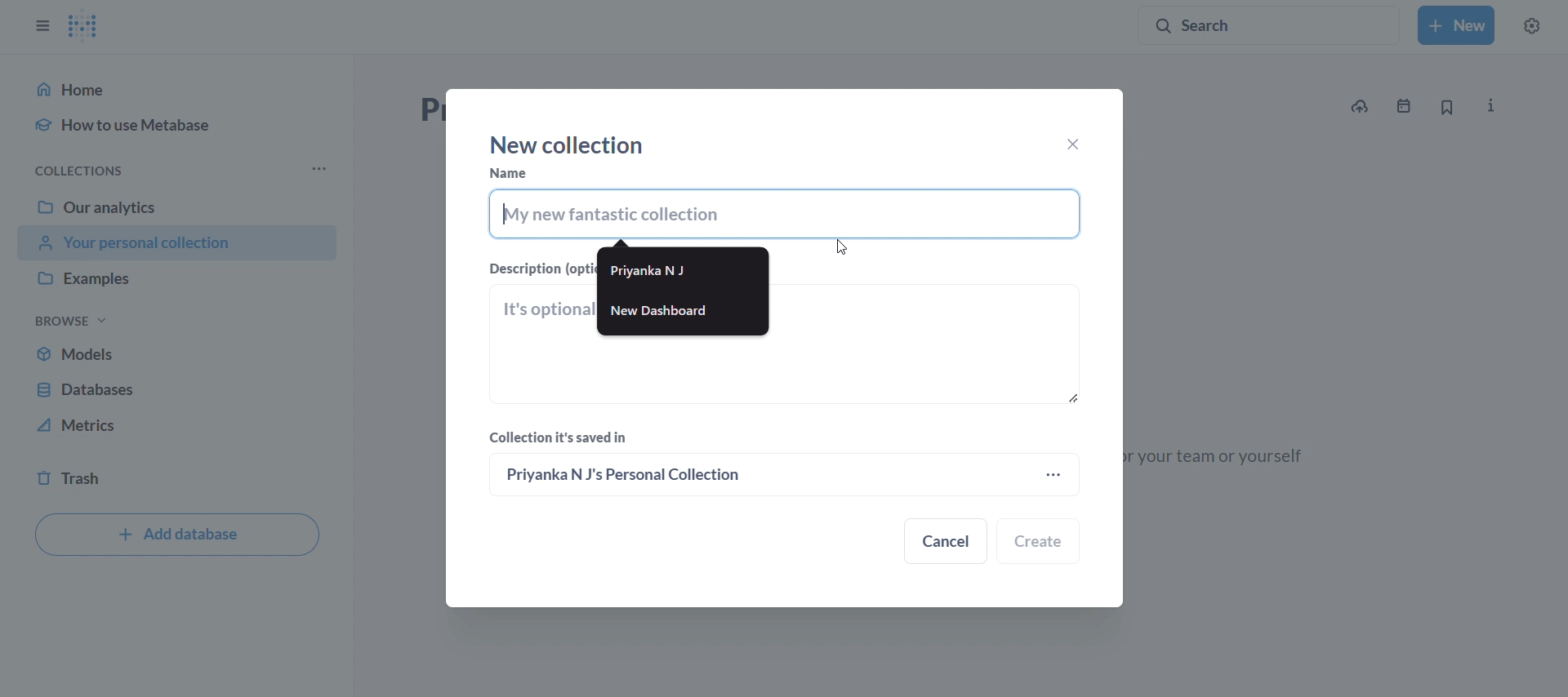 Image resolution: width=1568 pixels, height=697 pixels. Describe the element at coordinates (784, 214) in the screenshot. I see `name field` at that location.